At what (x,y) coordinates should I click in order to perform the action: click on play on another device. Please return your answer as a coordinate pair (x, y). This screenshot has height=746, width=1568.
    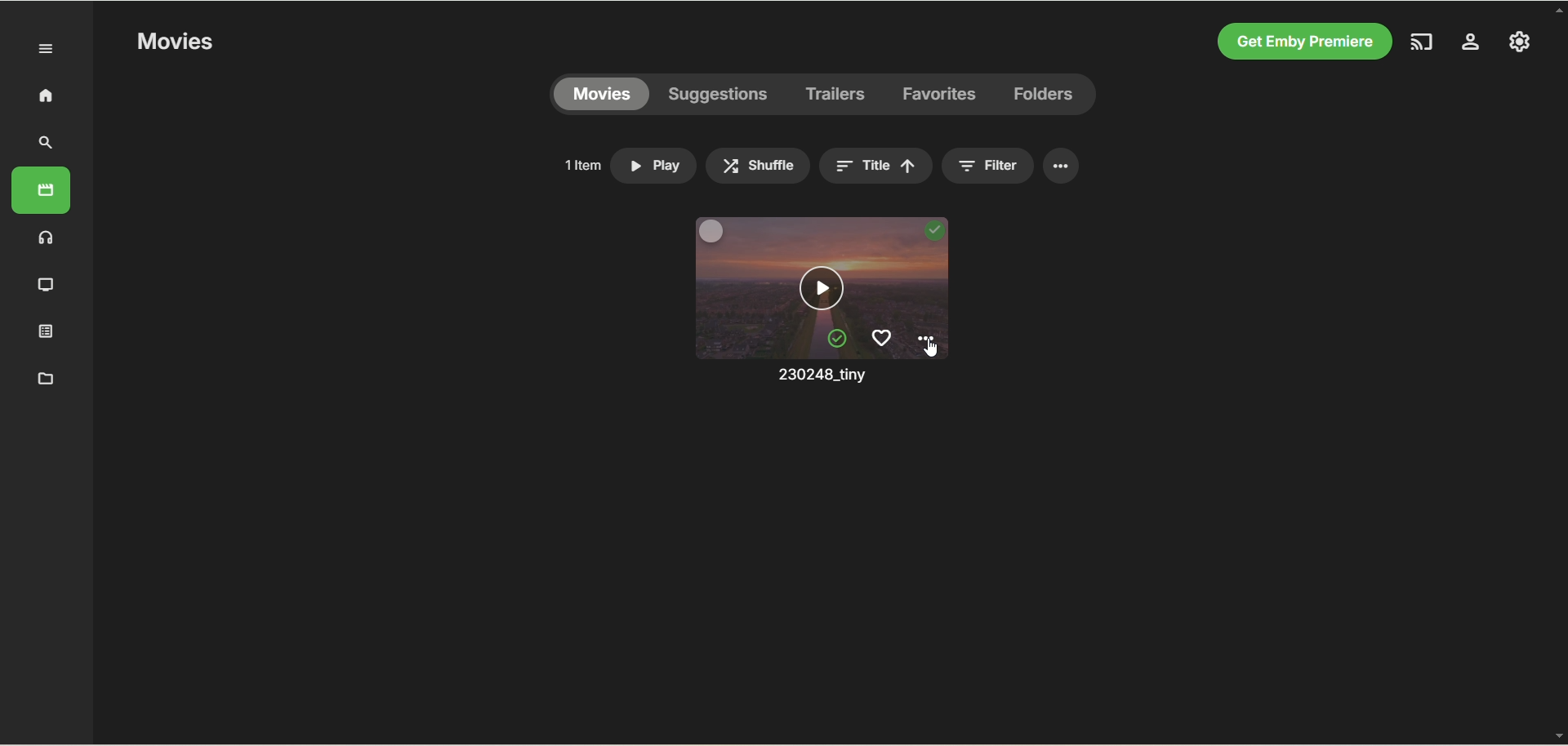
    Looking at the image, I should click on (1423, 42).